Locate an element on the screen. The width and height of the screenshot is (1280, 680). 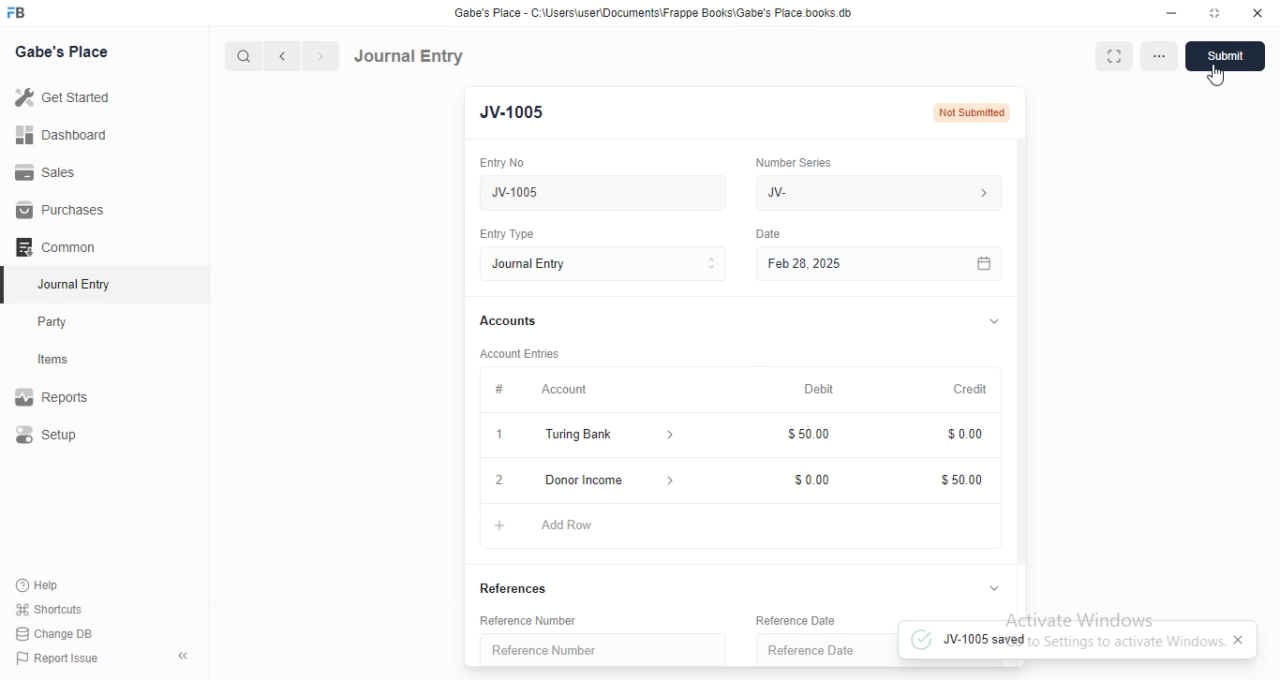
Feb 28, 2025 is located at coordinates (860, 263).